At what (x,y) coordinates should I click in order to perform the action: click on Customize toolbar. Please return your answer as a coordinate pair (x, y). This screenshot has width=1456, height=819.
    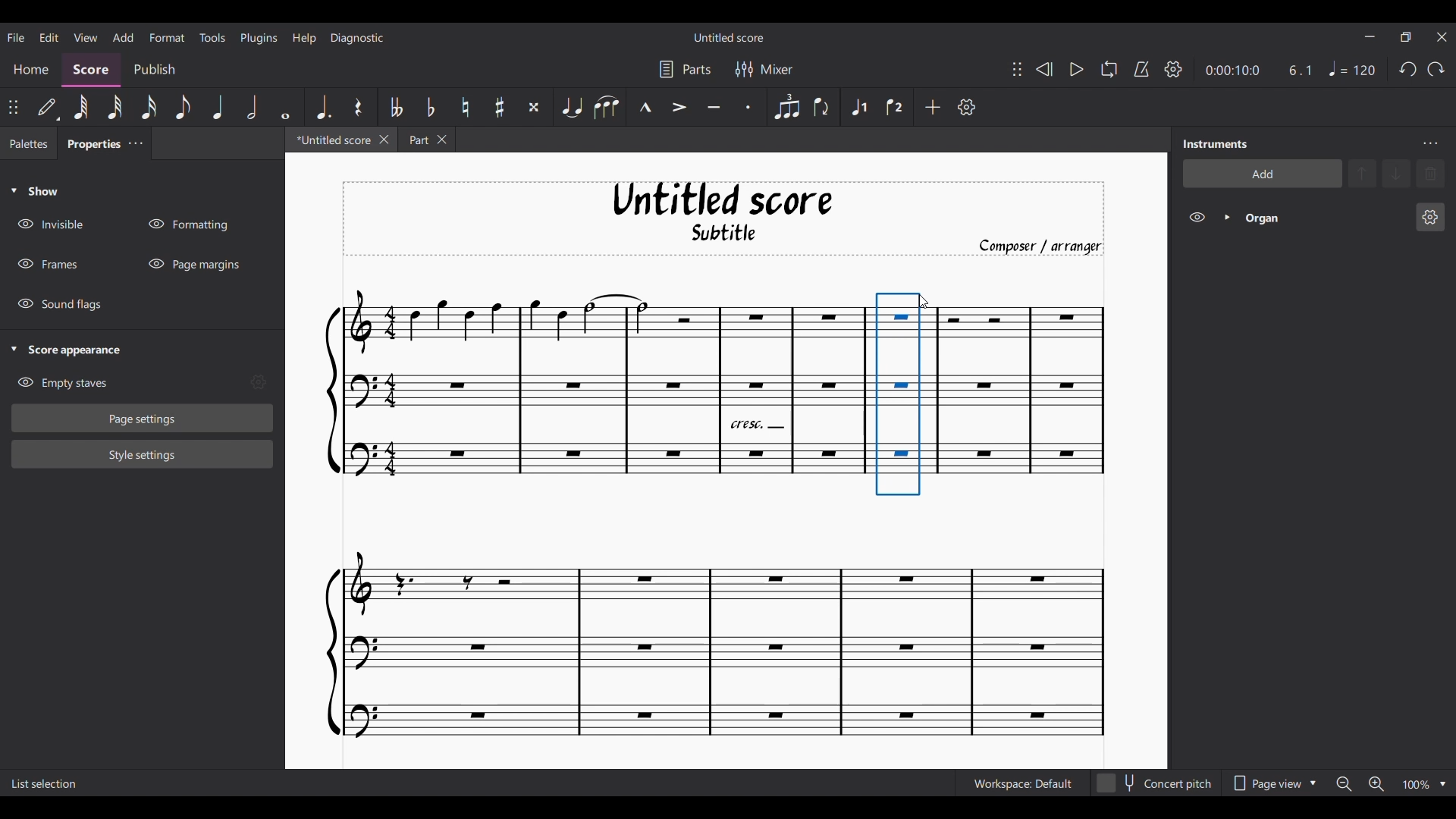
    Looking at the image, I should click on (967, 107).